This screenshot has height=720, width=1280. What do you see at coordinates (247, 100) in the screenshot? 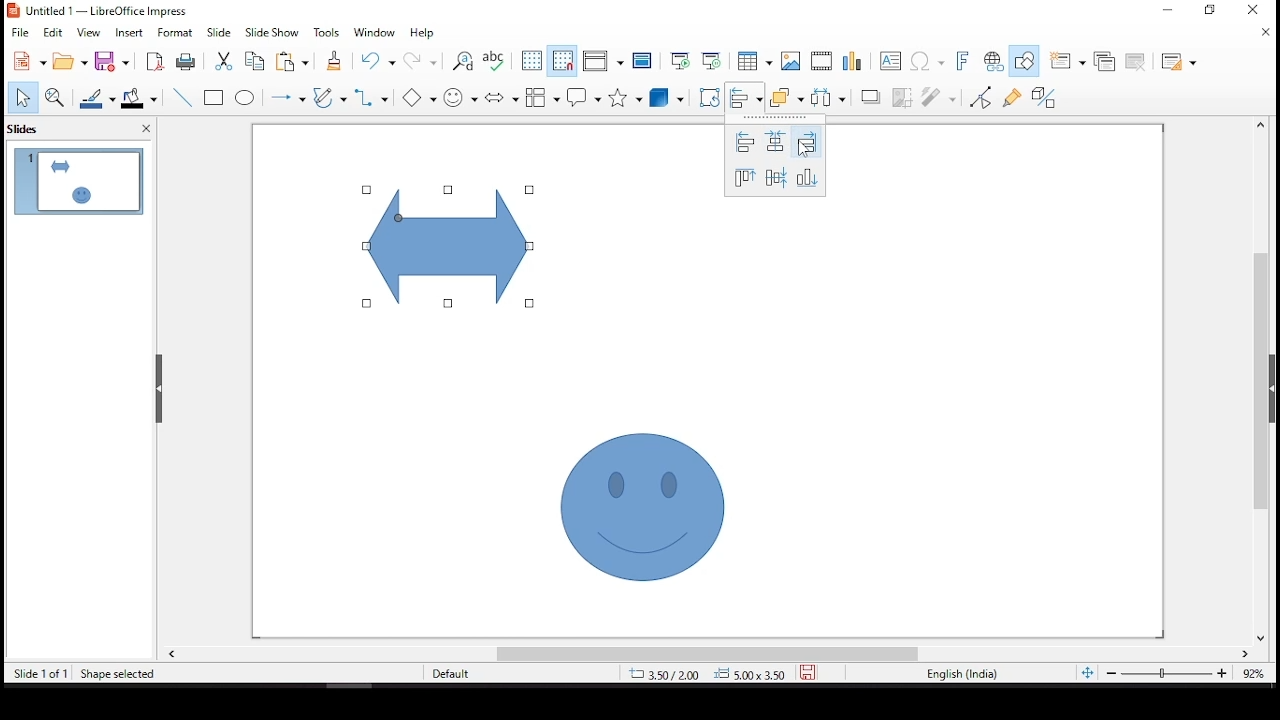
I see `ellipse` at bounding box center [247, 100].